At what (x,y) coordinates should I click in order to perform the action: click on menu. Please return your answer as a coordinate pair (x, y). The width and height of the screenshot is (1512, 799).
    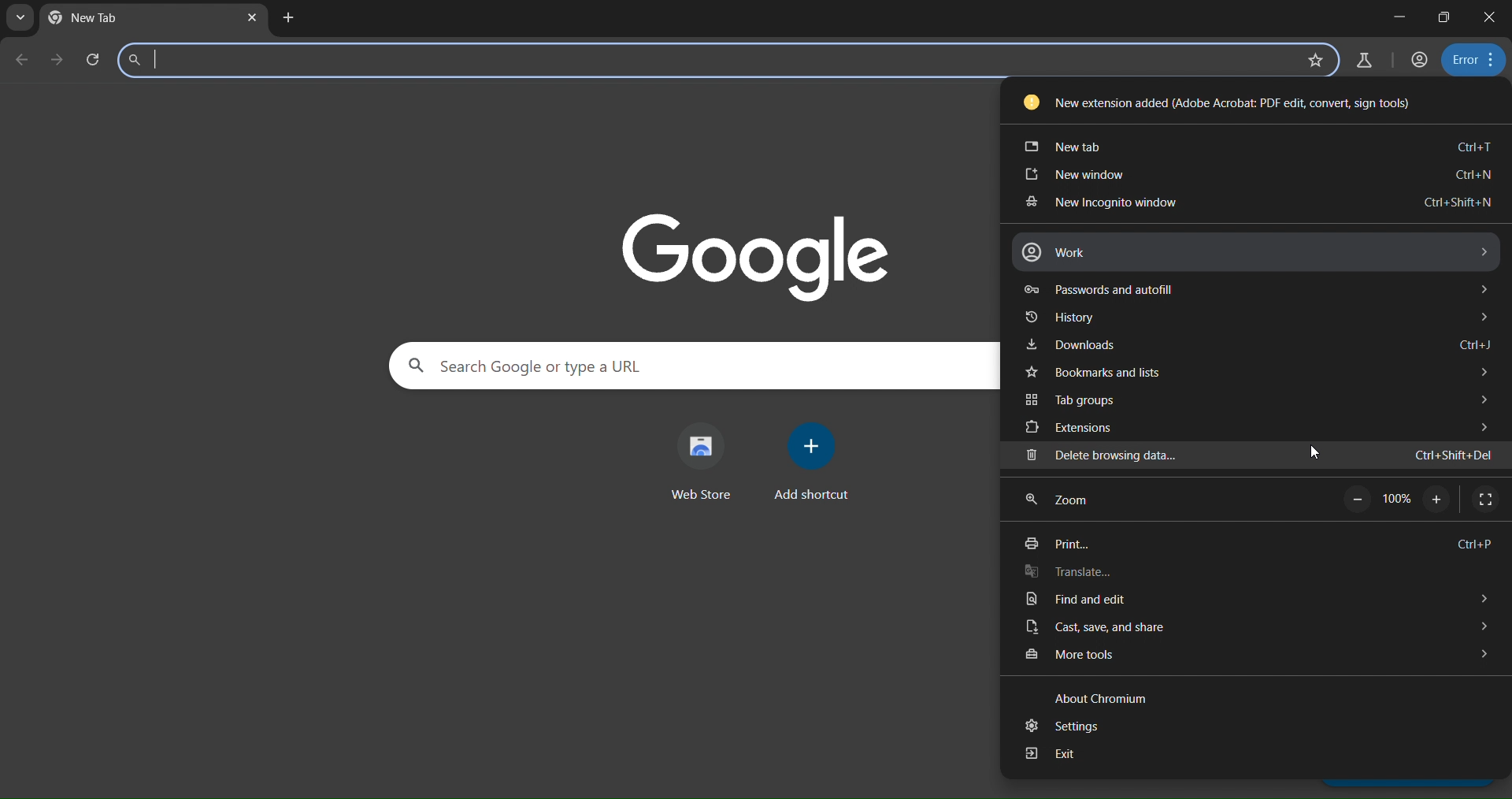
    Looking at the image, I should click on (1474, 60).